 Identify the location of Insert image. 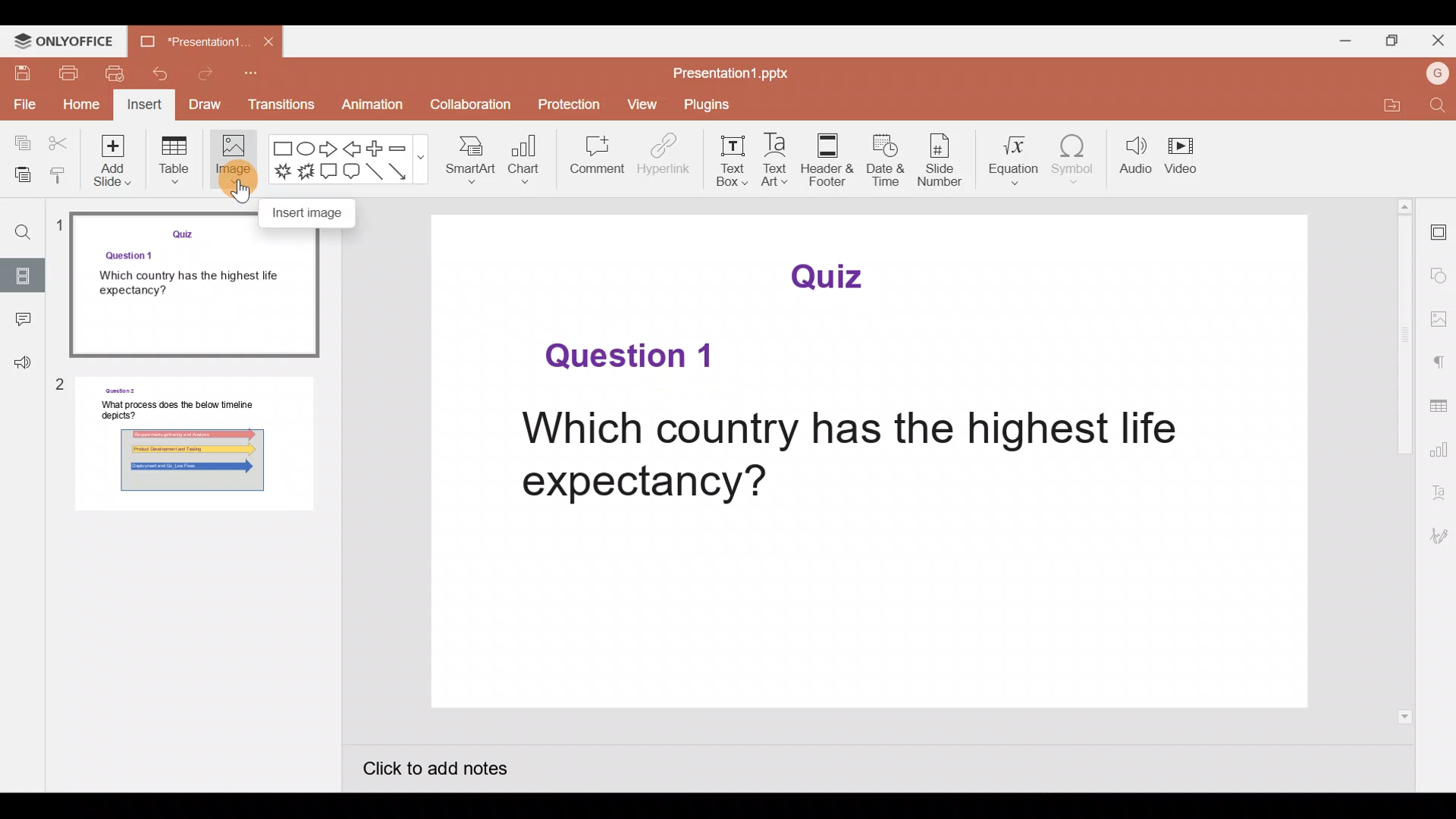
(315, 212).